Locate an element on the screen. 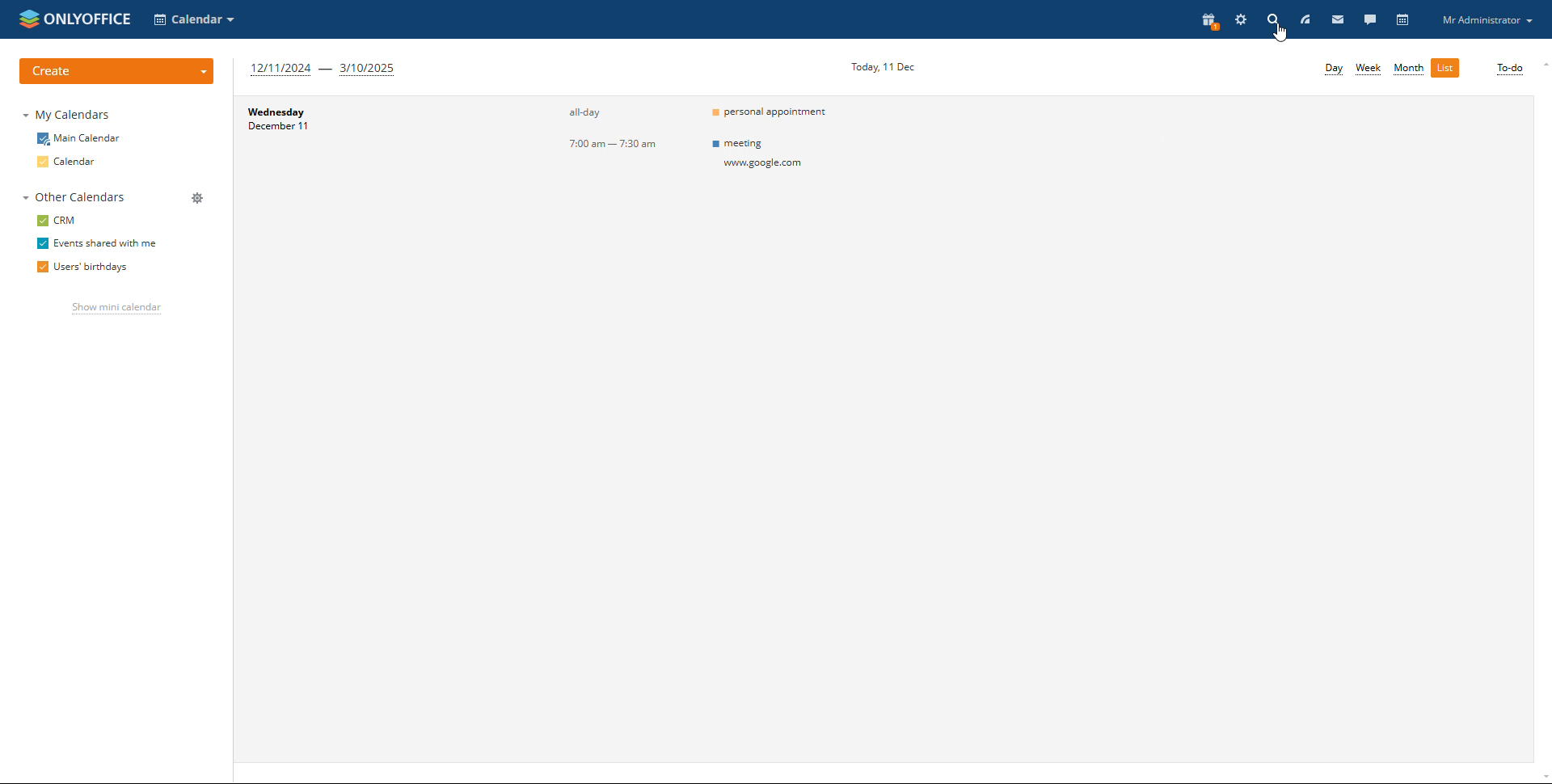  day is located at coordinates (1334, 67).